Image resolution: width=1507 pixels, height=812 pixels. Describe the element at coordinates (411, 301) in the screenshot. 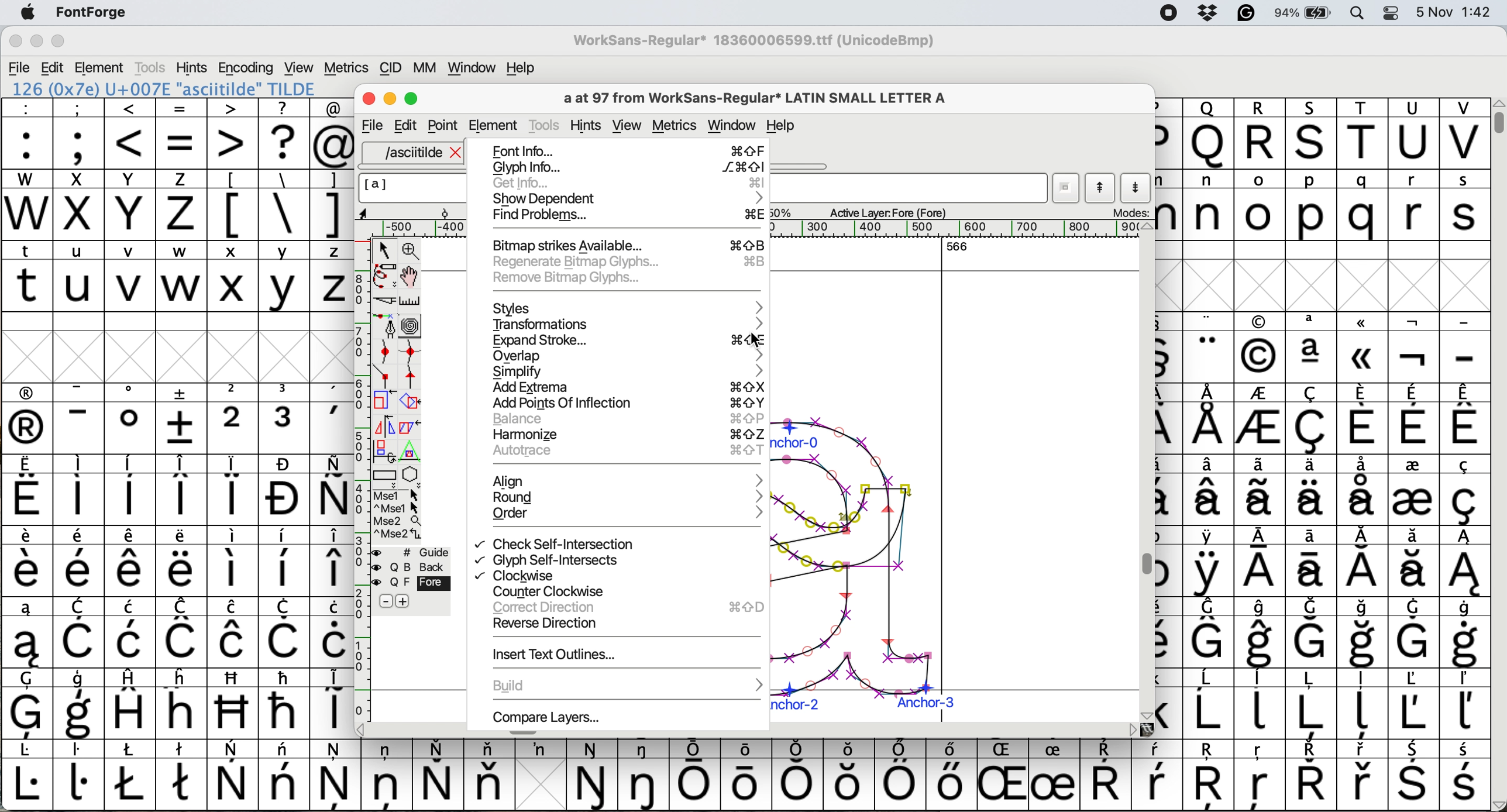

I see `measure distance` at that location.